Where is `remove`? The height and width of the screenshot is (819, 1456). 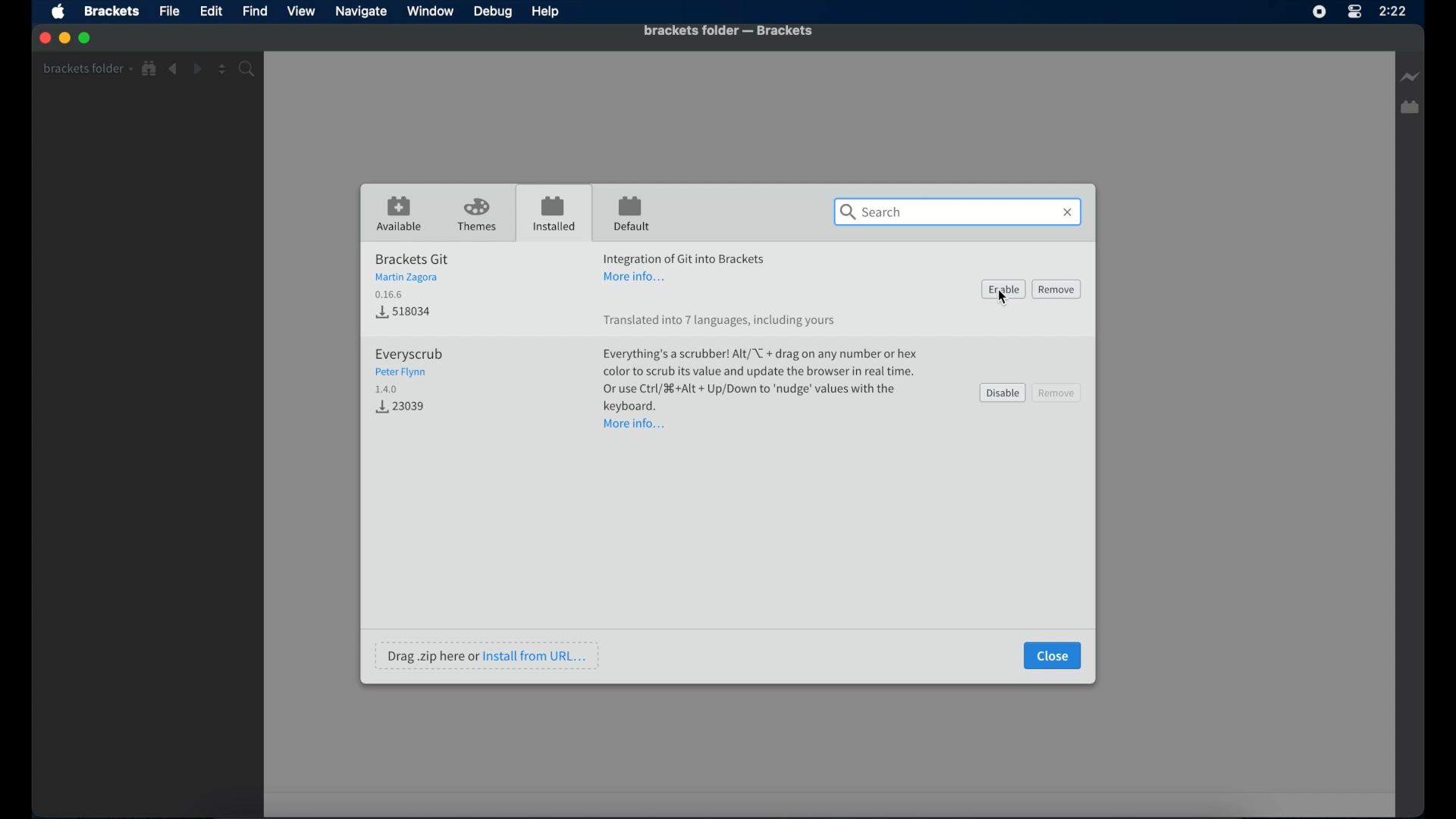
remove is located at coordinates (1058, 392).